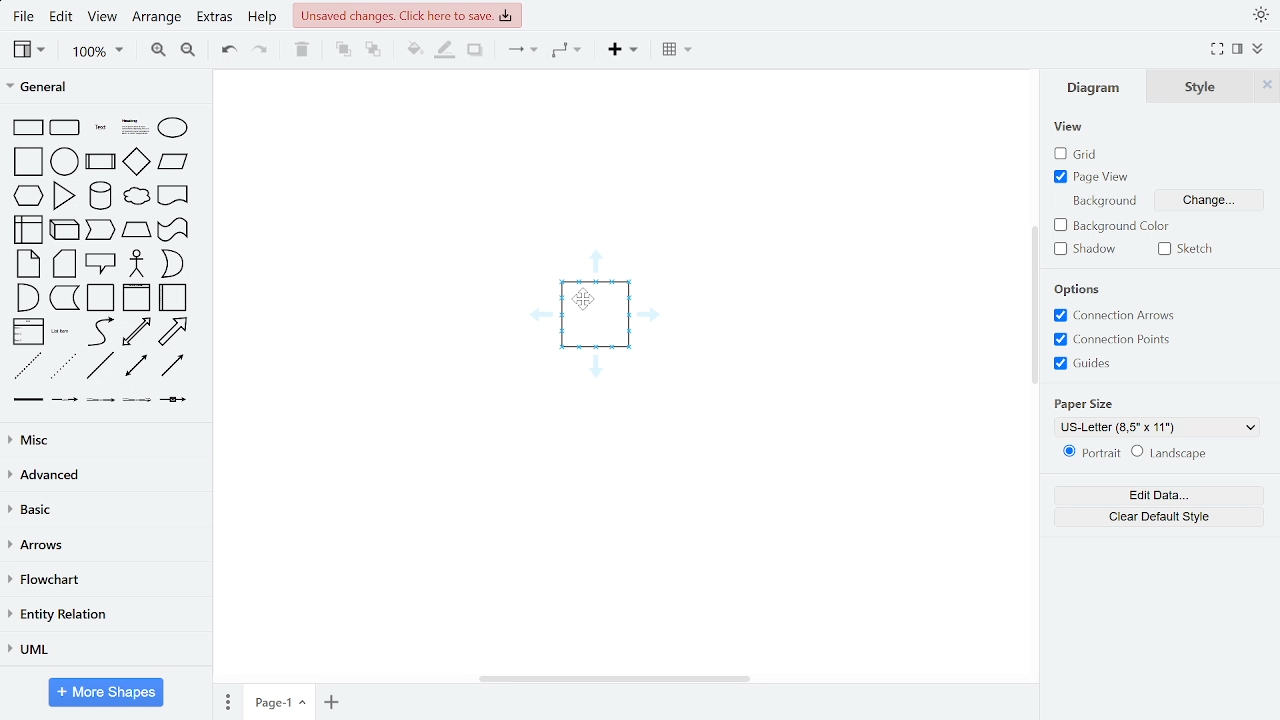 This screenshot has width=1280, height=720. Describe the element at coordinates (444, 51) in the screenshot. I see `fill line` at that location.